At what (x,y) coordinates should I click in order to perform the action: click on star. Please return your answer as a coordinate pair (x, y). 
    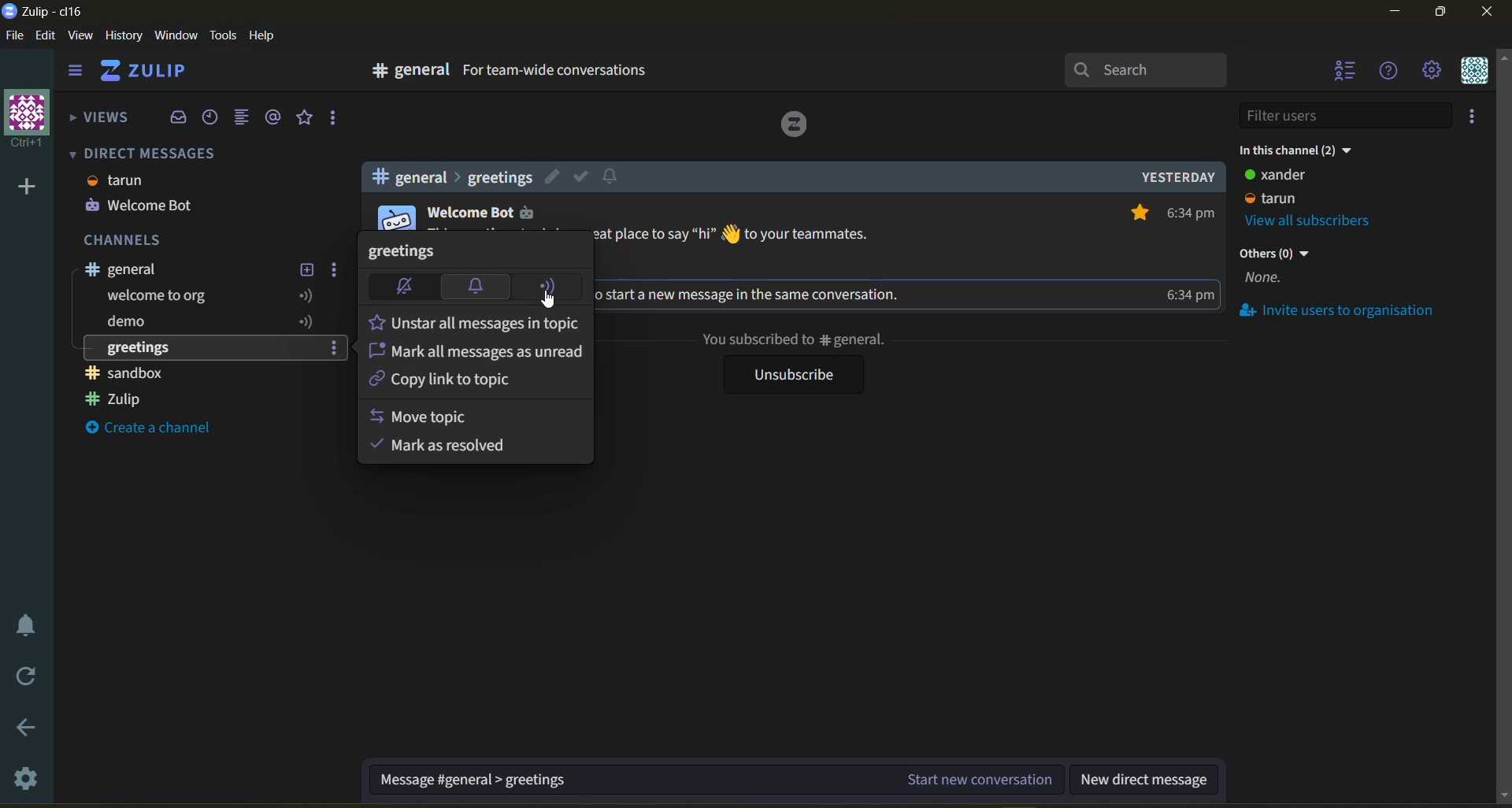
    Looking at the image, I should click on (1136, 211).